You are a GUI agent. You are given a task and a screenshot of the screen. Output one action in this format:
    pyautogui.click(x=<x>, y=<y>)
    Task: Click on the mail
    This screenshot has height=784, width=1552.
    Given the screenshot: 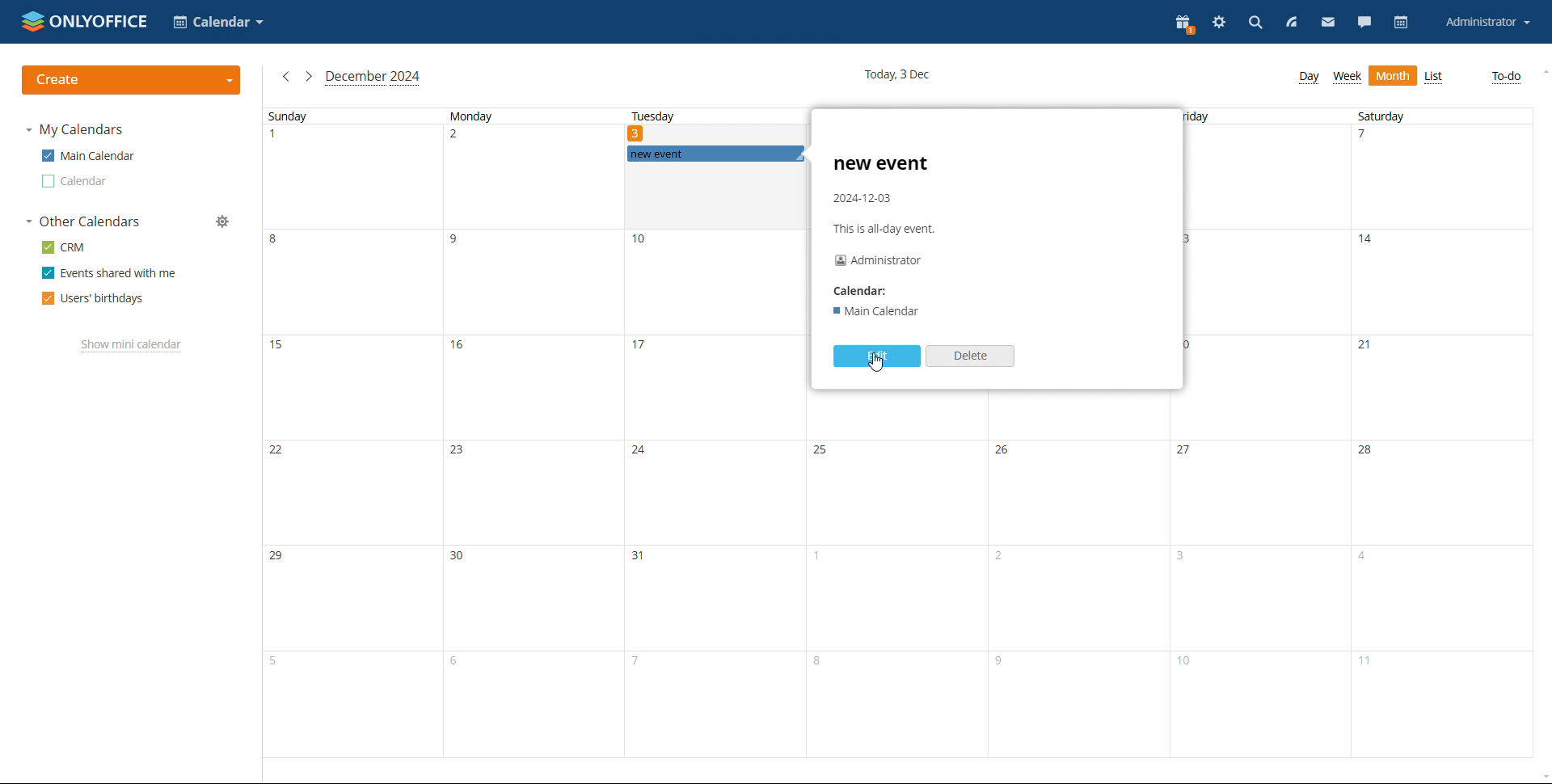 What is the action you would take?
    pyautogui.click(x=1327, y=23)
    